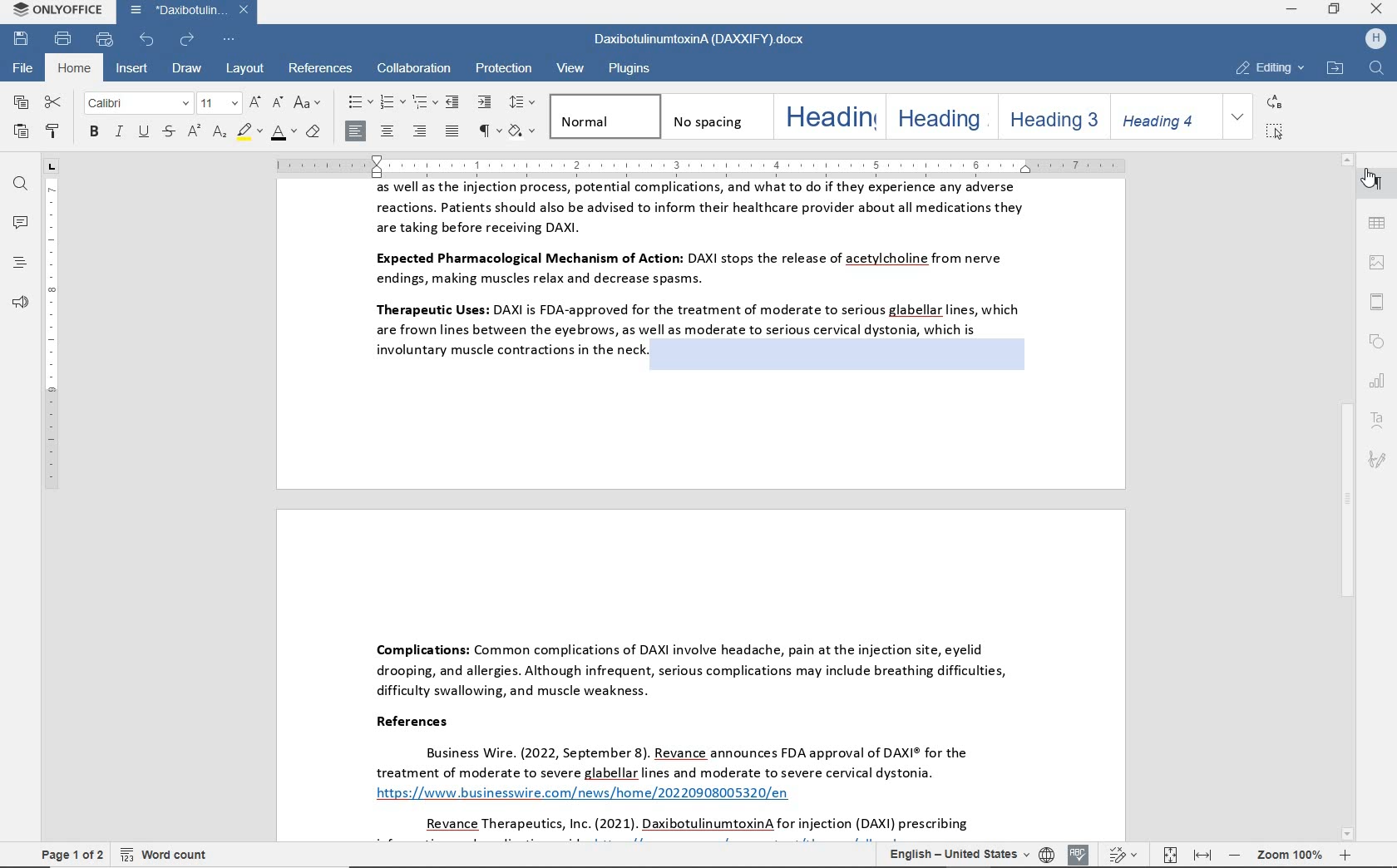  I want to click on fit to page, so click(1167, 855).